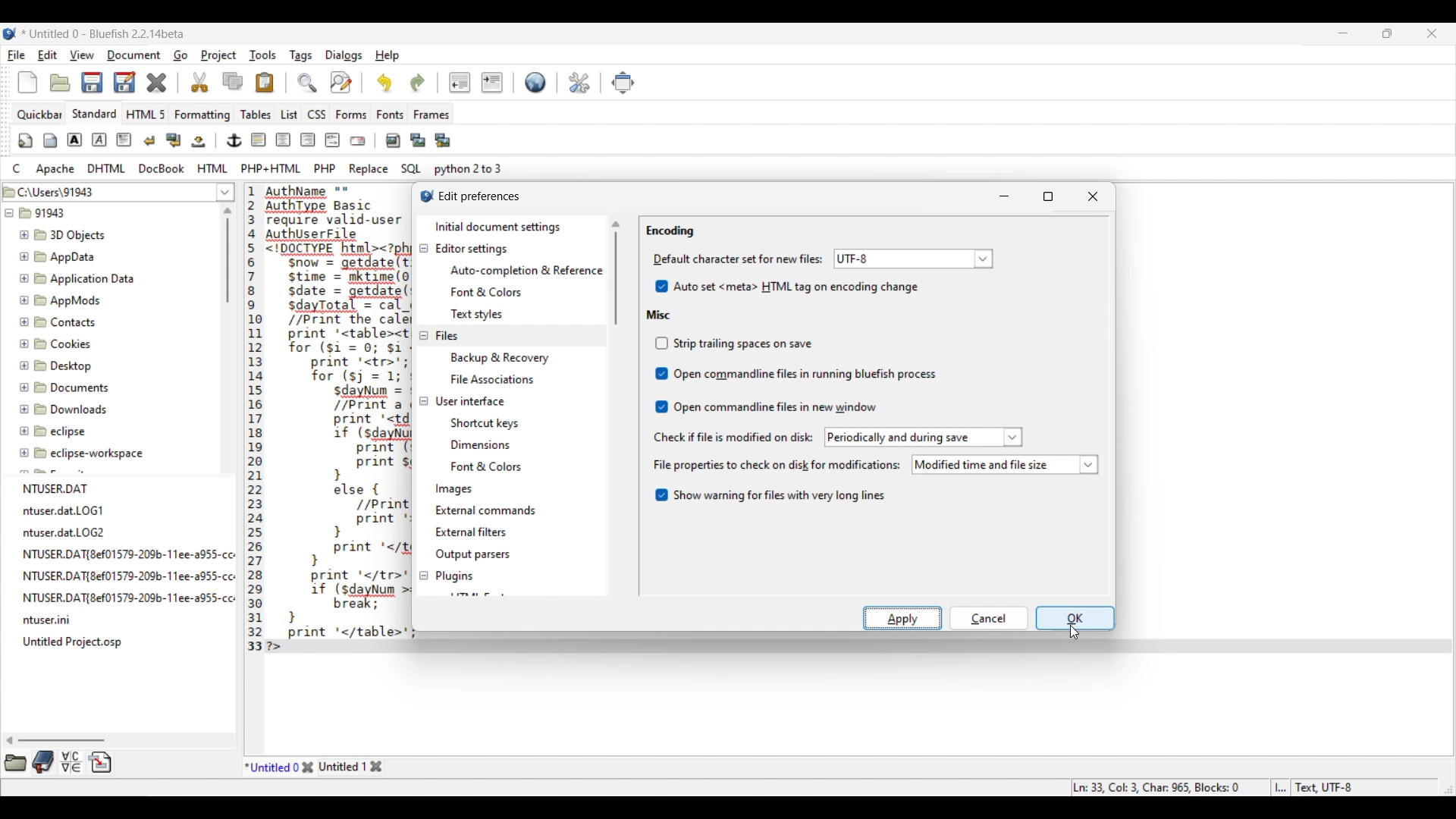  Describe the element at coordinates (623, 83) in the screenshot. I see `Move` at that location.